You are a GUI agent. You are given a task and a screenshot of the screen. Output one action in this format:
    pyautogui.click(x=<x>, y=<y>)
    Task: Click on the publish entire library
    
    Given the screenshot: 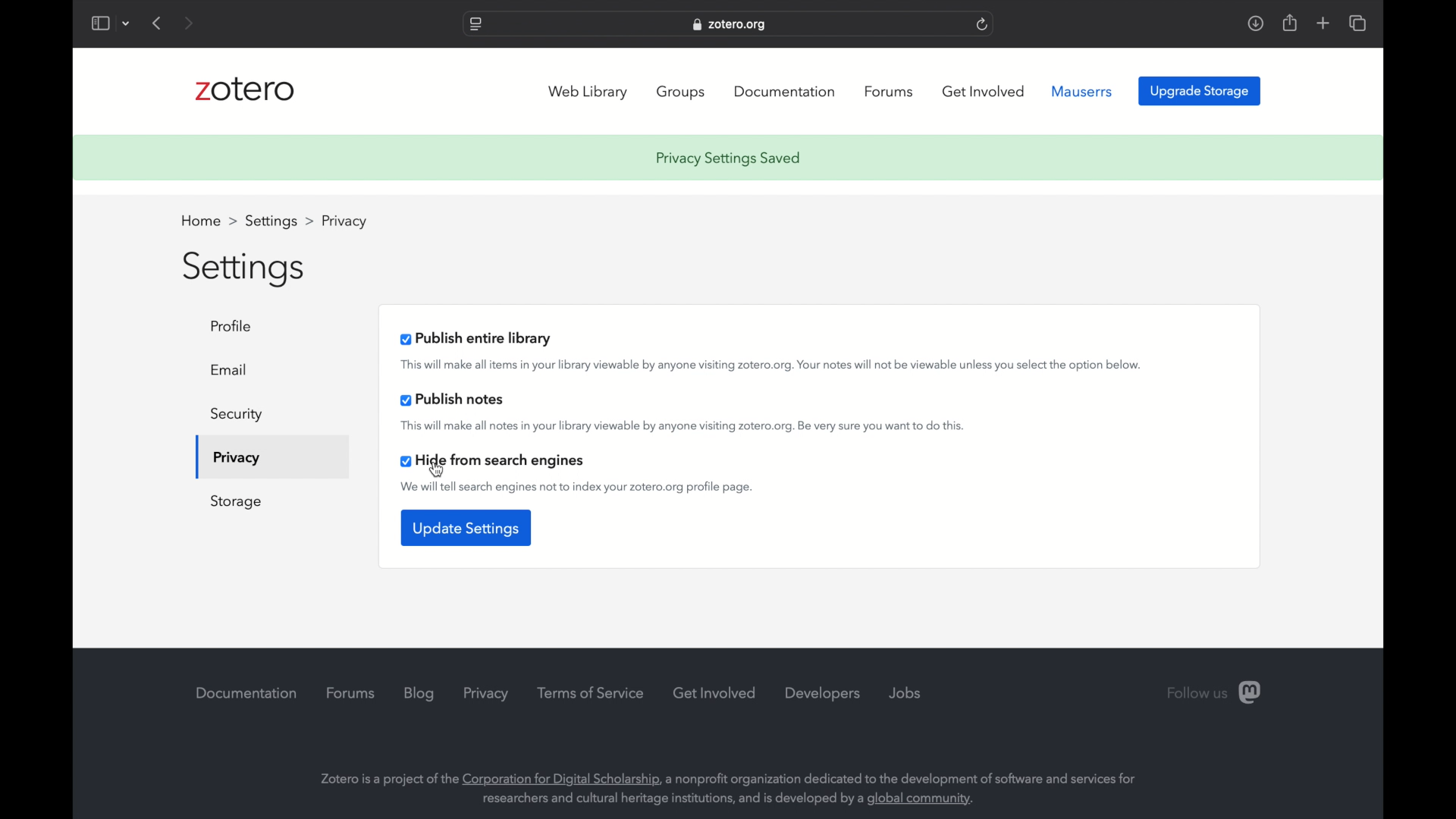 What is the action you would take?
    pyautogui.click(x=475, y=338)
    